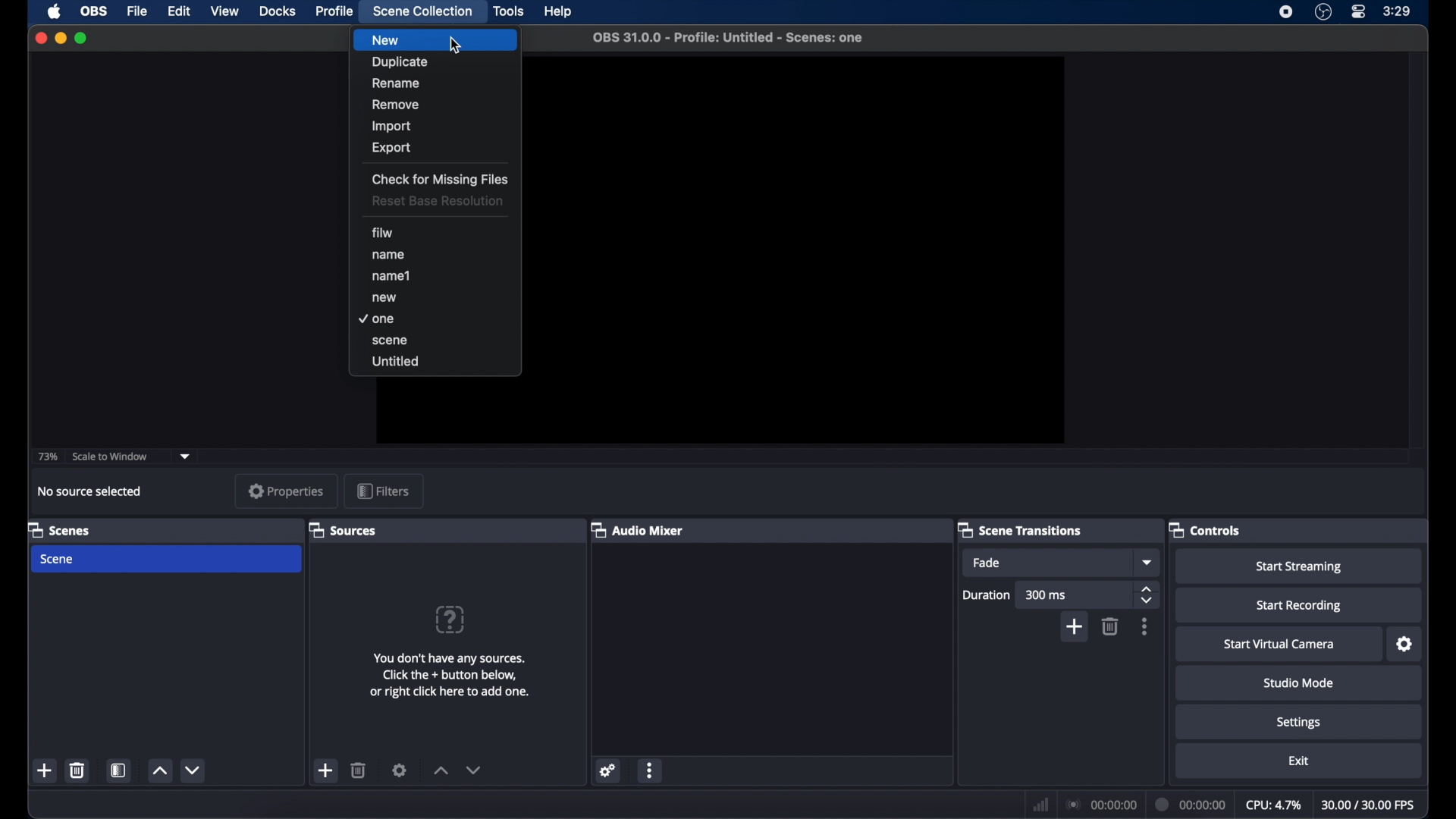 The width and height of the screenshot is (1456, 819). I want to click on scale to window, so click(110, 457).